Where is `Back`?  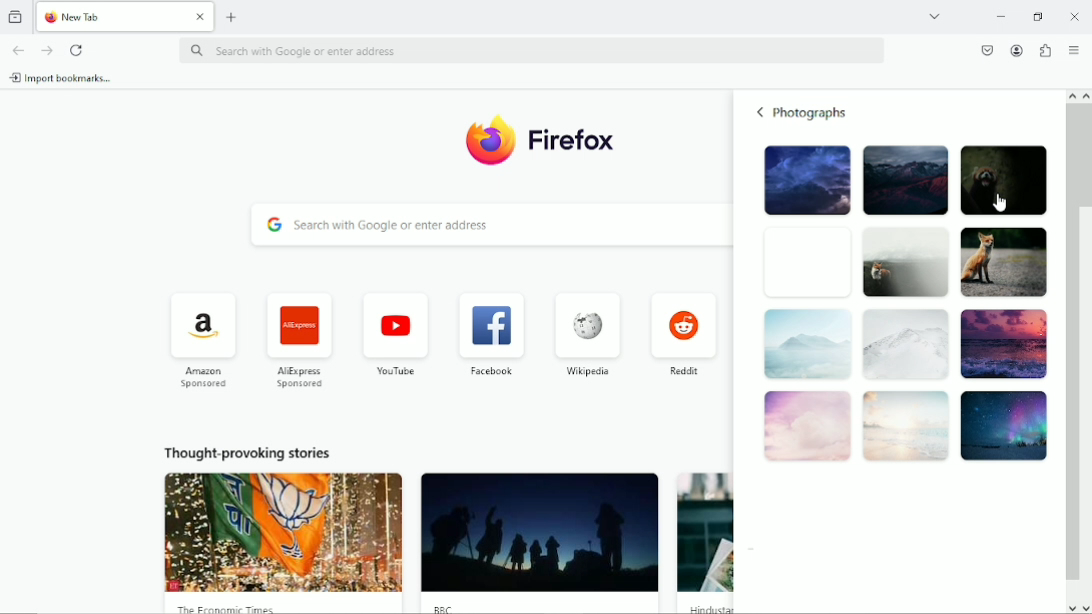 Back is located at coordinates (760, 112).